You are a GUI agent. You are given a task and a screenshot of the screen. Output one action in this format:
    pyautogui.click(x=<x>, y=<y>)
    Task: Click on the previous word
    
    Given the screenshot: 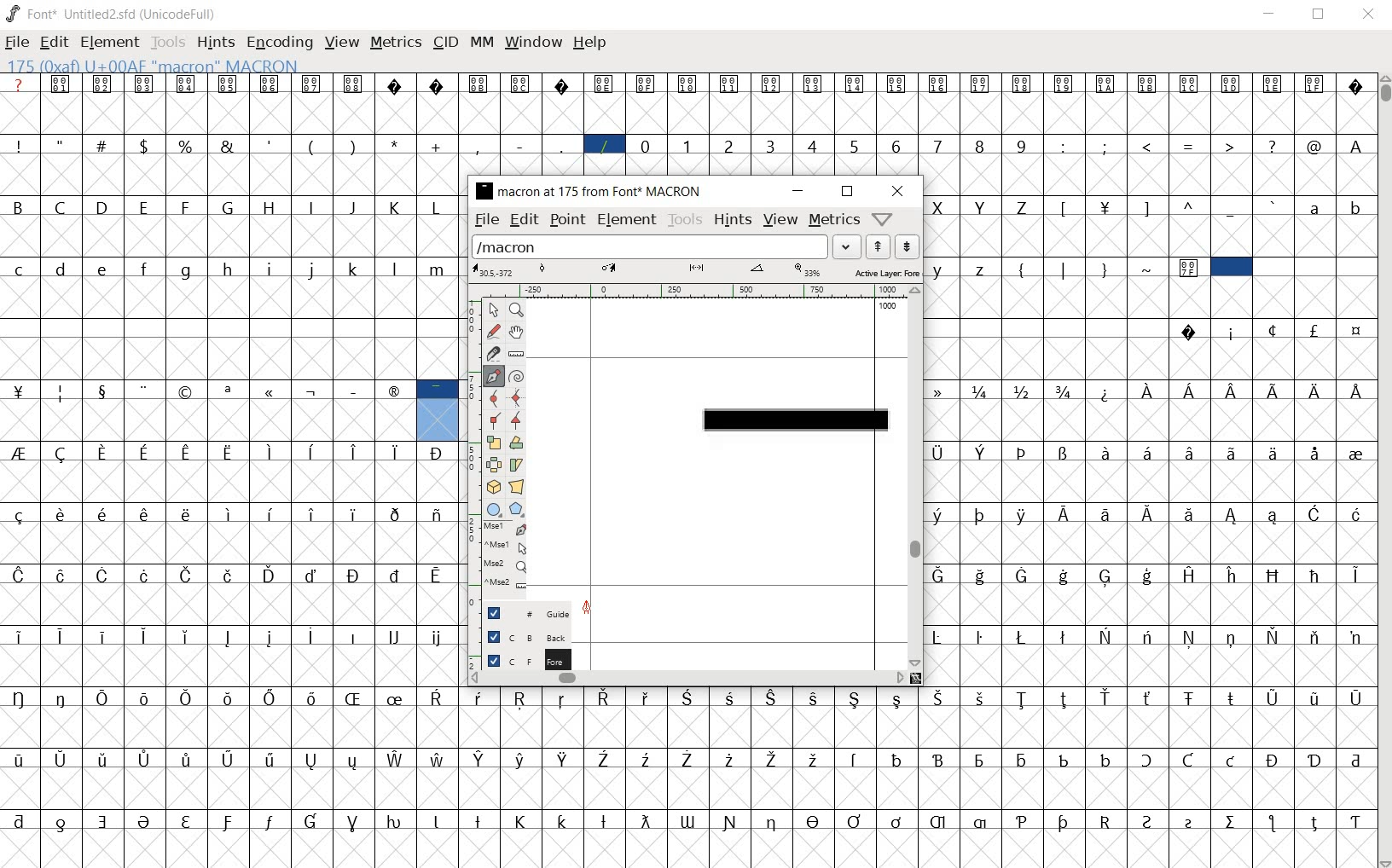 What is the action you would take?
    pyautogui.click(x=879, y=246)
    